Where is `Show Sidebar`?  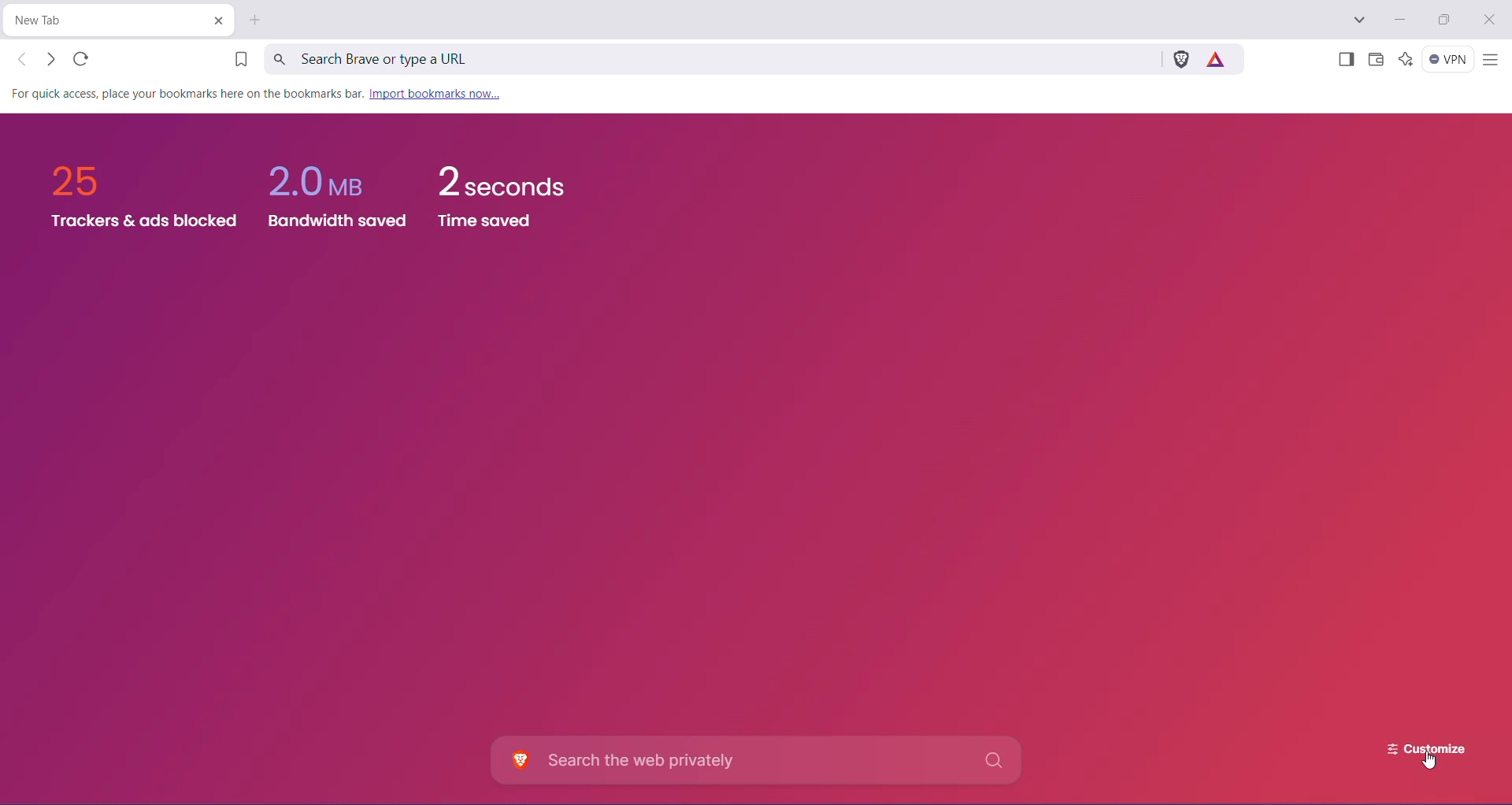 Show Sidebar is located at coordinates (1344, 61).